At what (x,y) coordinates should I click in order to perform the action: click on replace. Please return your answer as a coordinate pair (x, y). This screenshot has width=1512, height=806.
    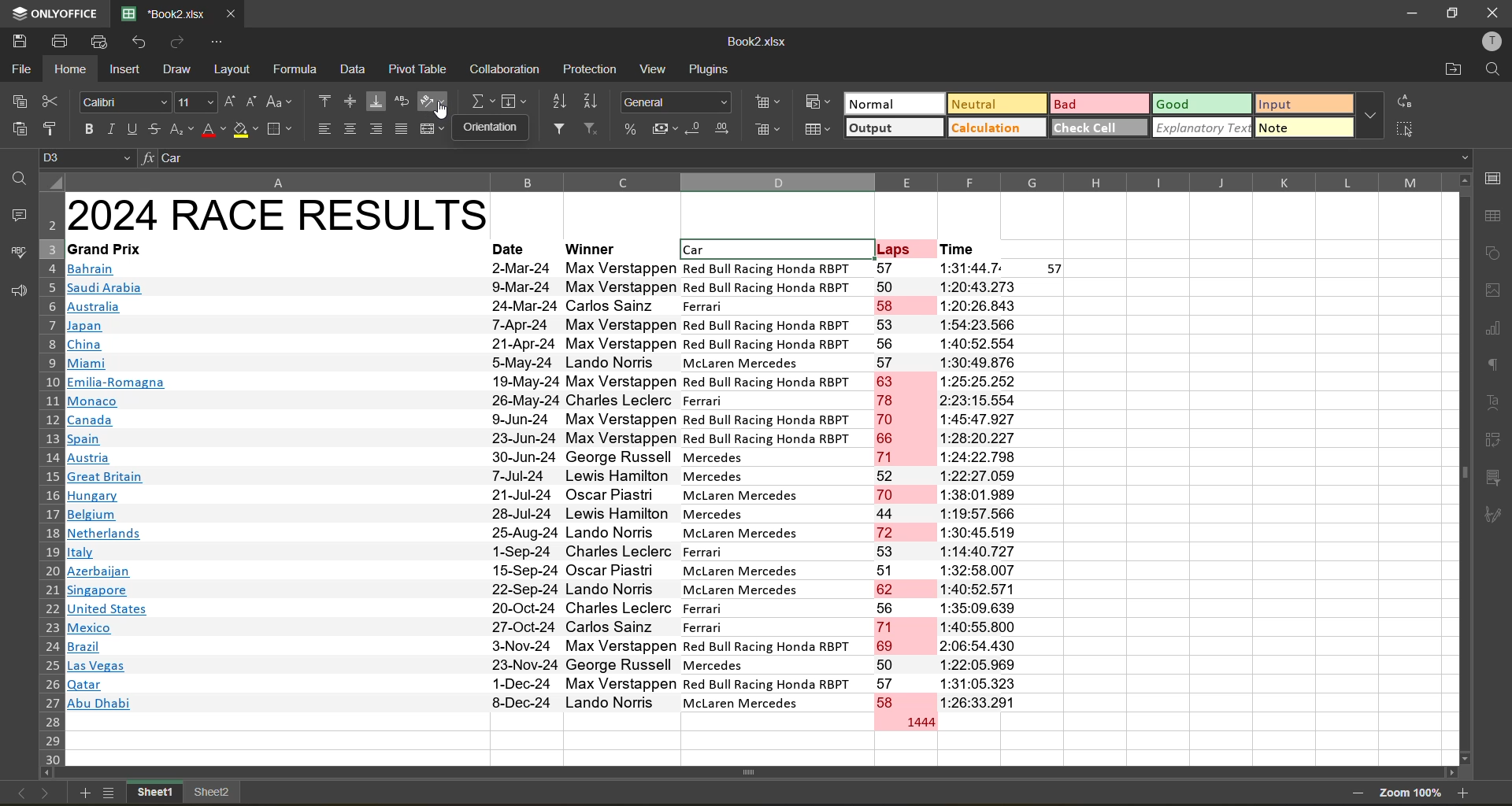
    Looking at the image, I should click on (1403, 102).